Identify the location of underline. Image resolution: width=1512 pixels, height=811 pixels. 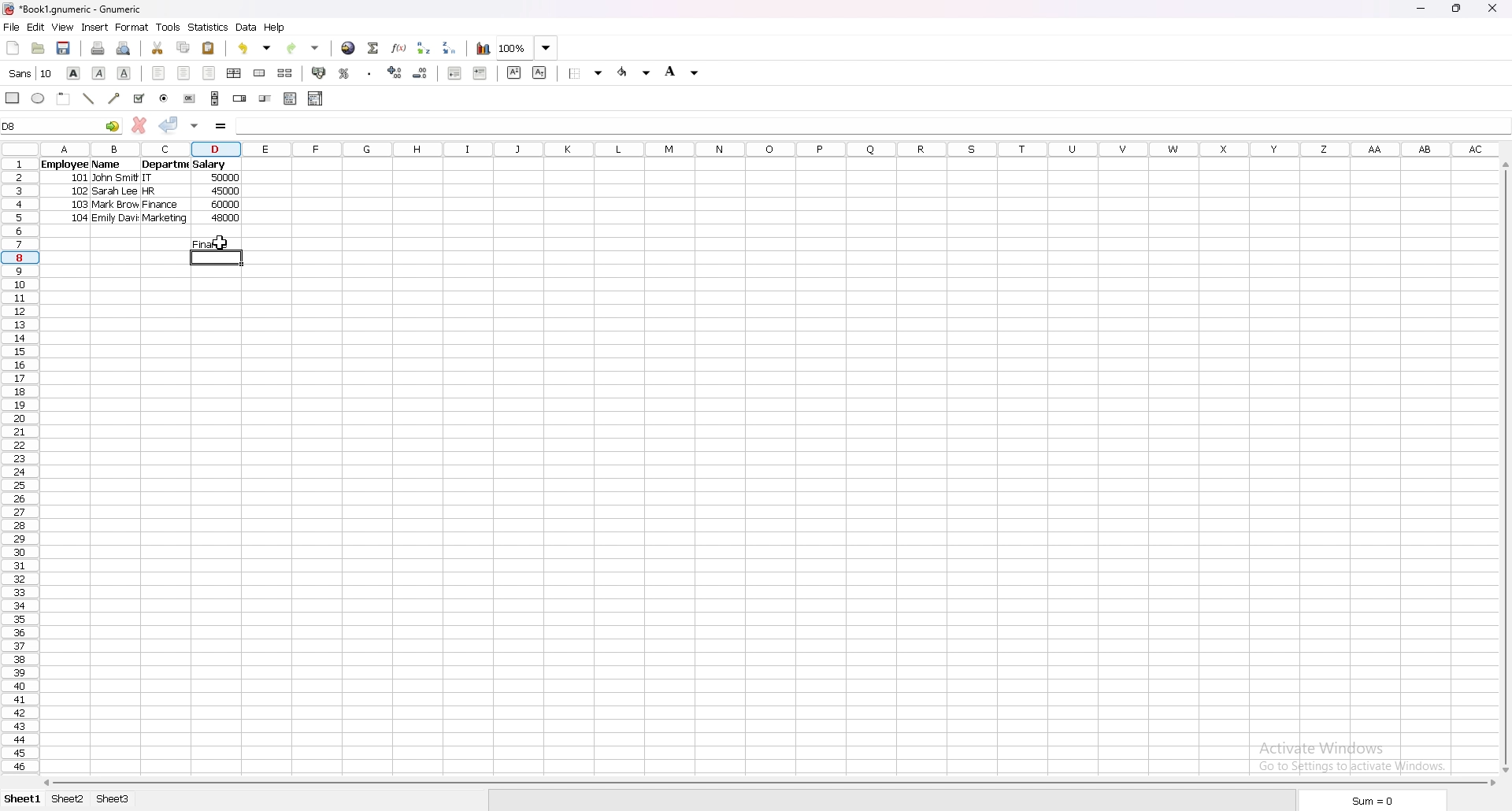
(125, 74).